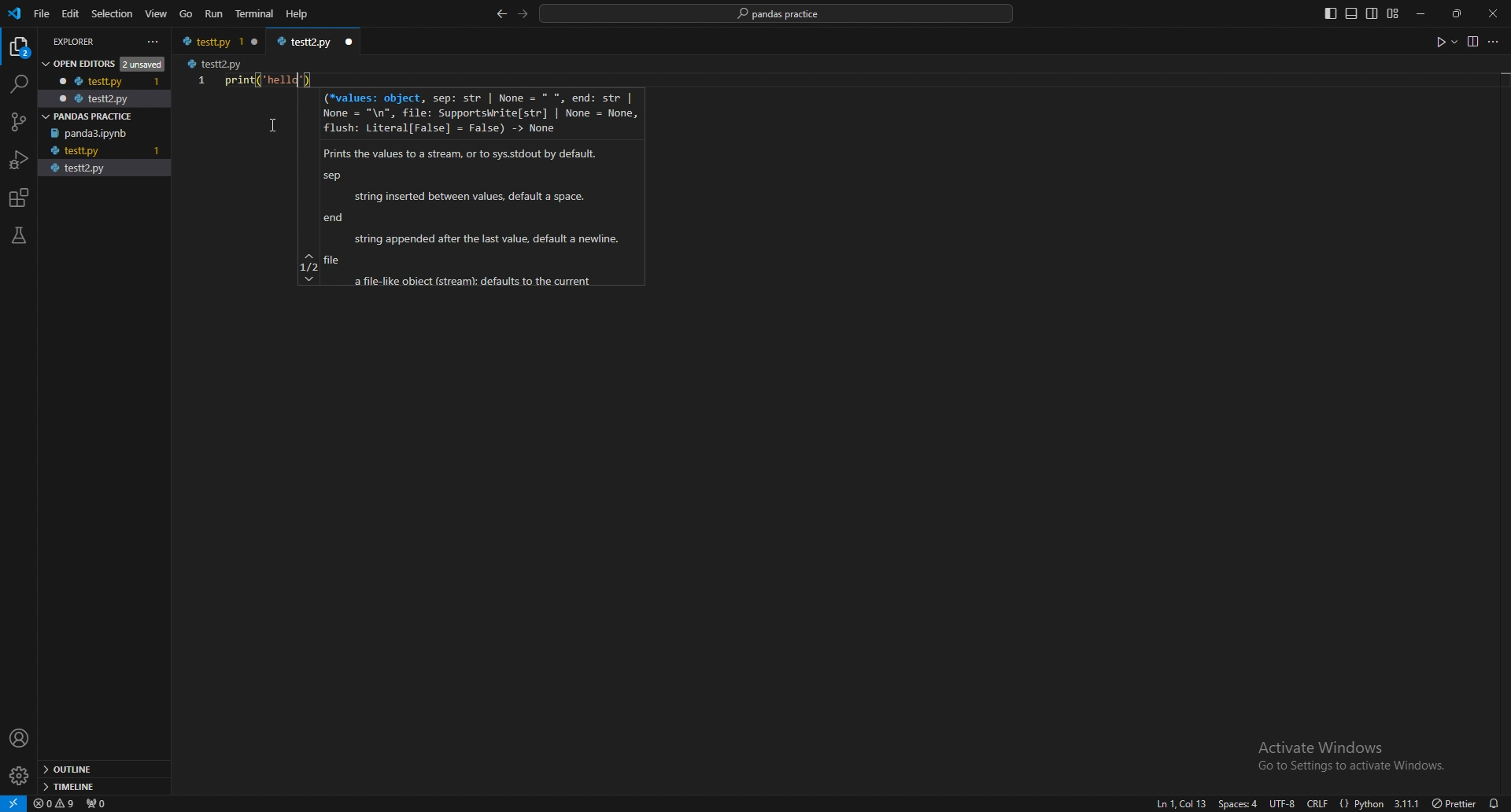  Describe the element at coordinates (1454, 802) in the screenshot. I see `) Prettier` at that location.